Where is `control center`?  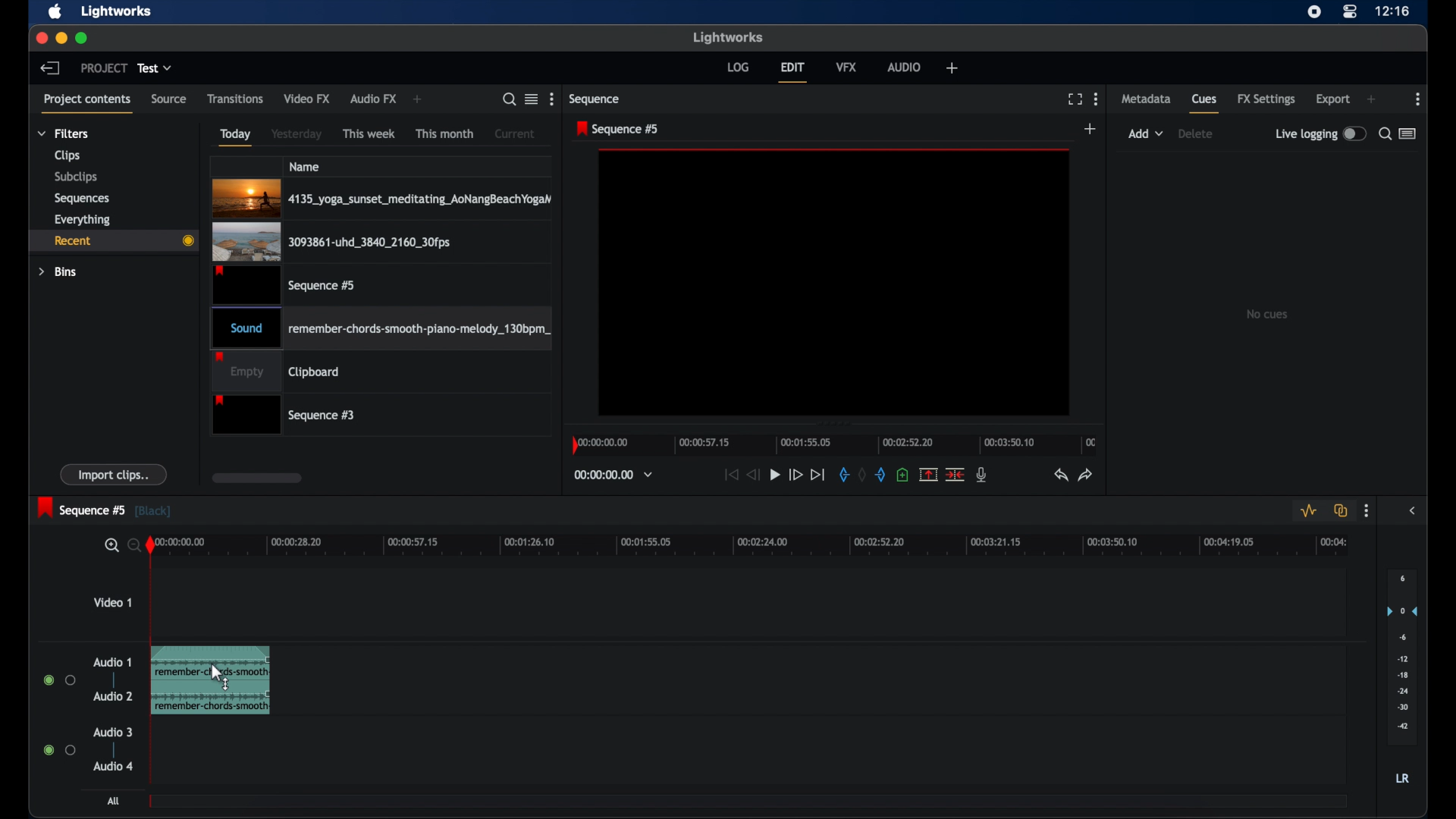
control center is located at coordinates (1350, 12).